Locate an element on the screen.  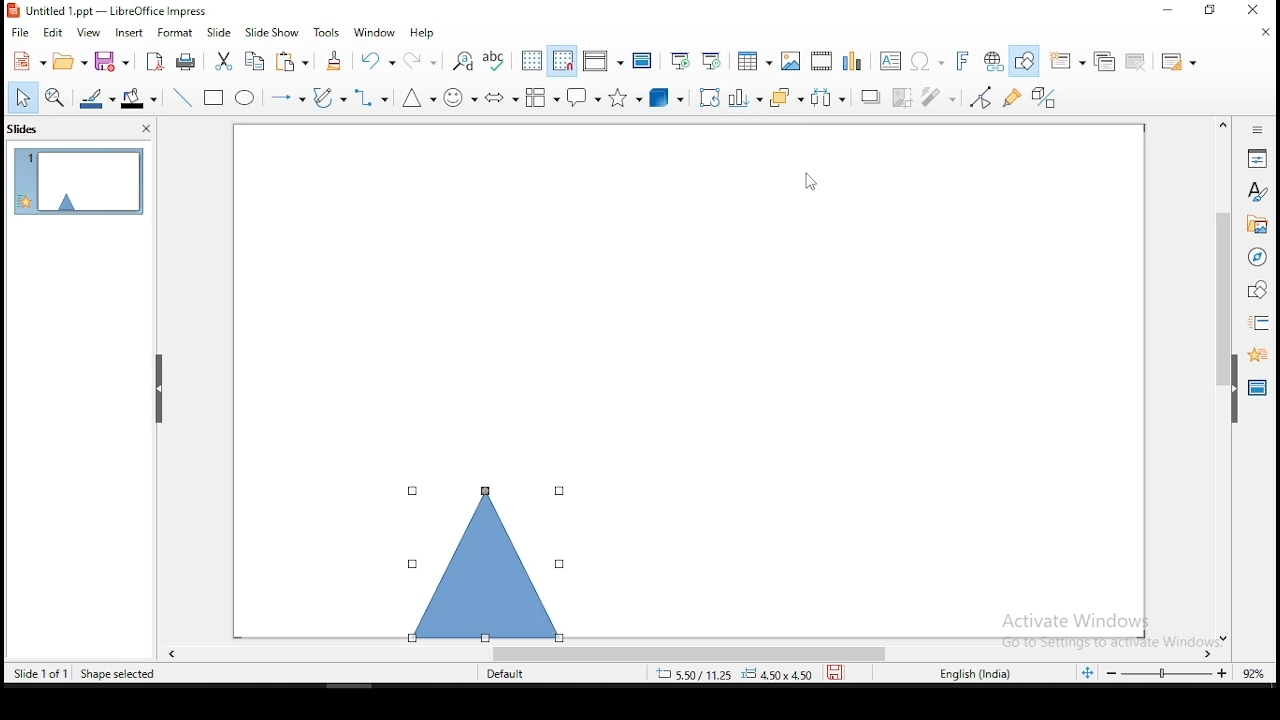
insert is located at coordinates (131, 32).